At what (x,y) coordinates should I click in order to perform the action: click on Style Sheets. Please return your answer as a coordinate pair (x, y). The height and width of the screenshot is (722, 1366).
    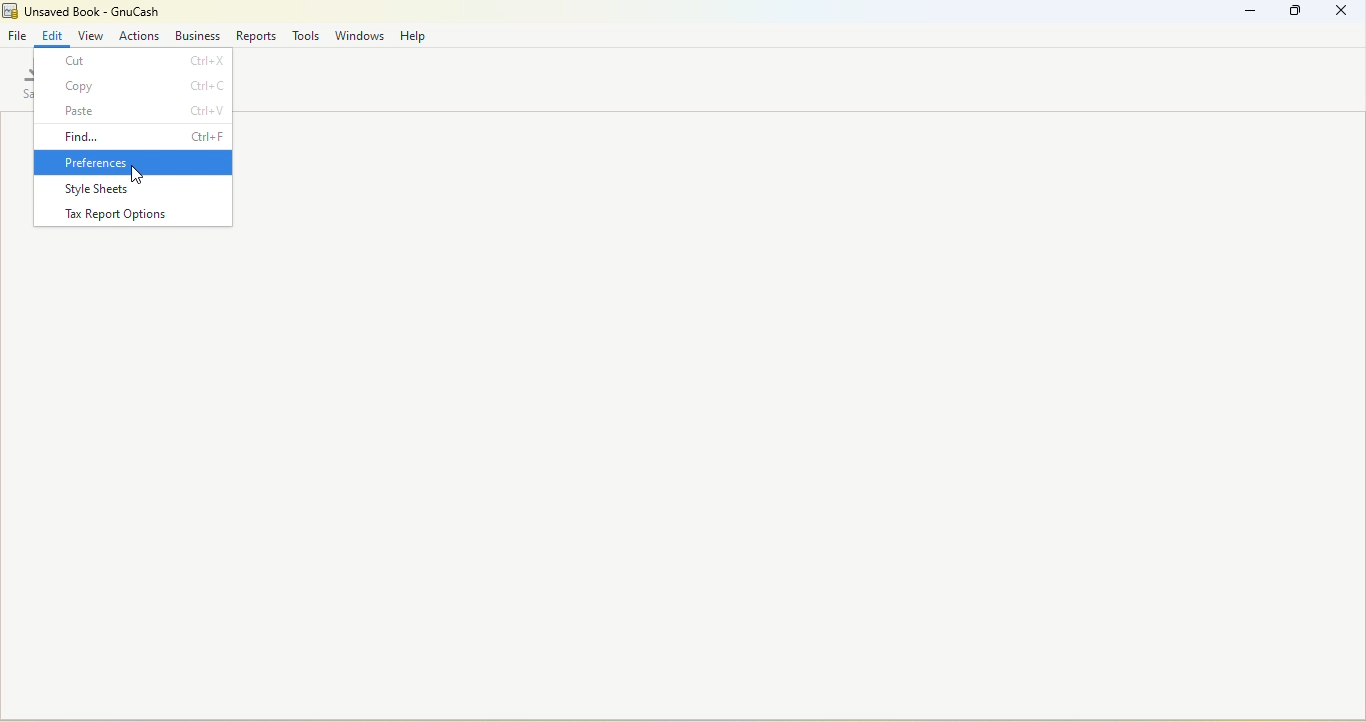
    Looking at the image, I should click on (133, 187).